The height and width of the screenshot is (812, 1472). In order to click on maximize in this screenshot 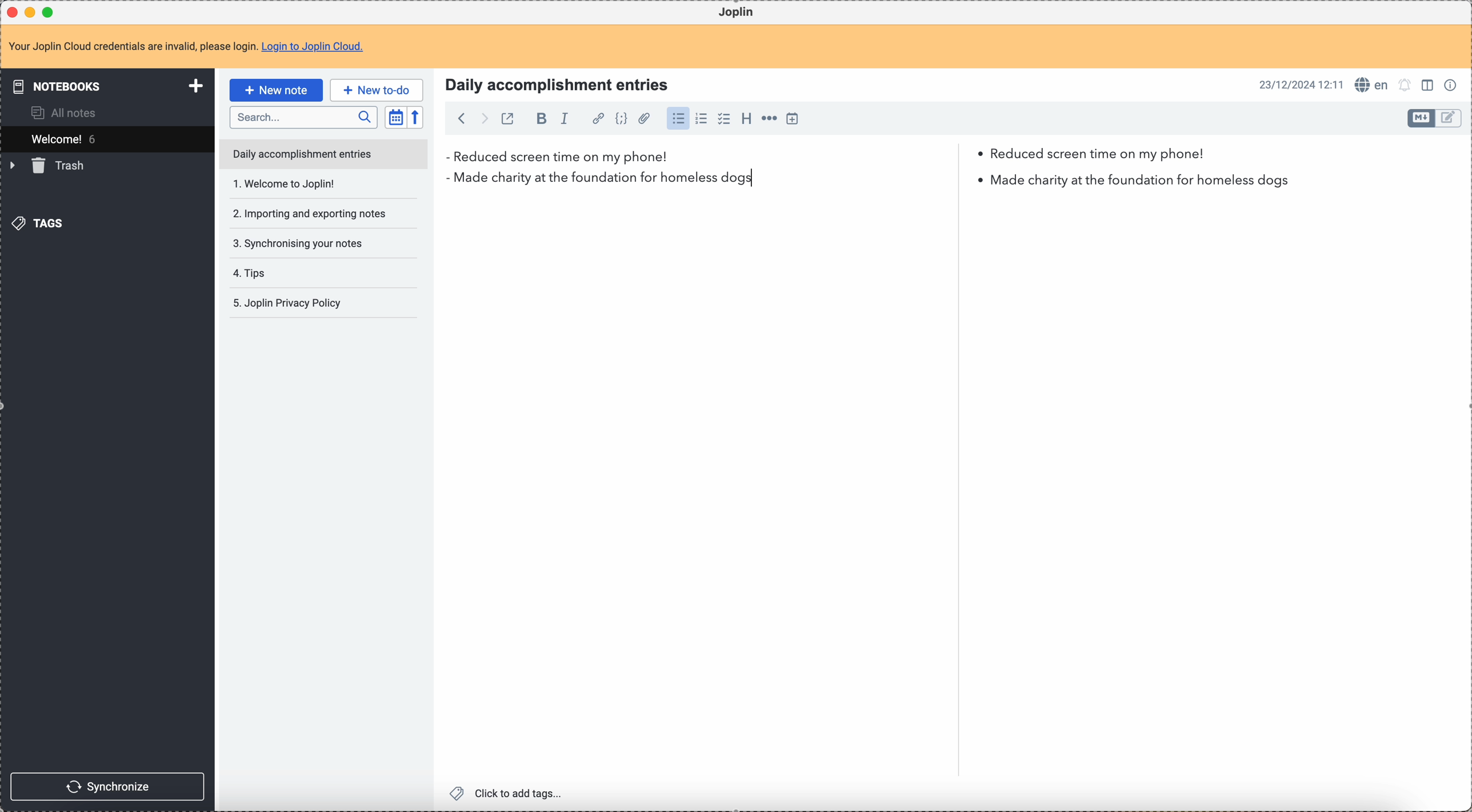, I will do `click(49, 11)`.